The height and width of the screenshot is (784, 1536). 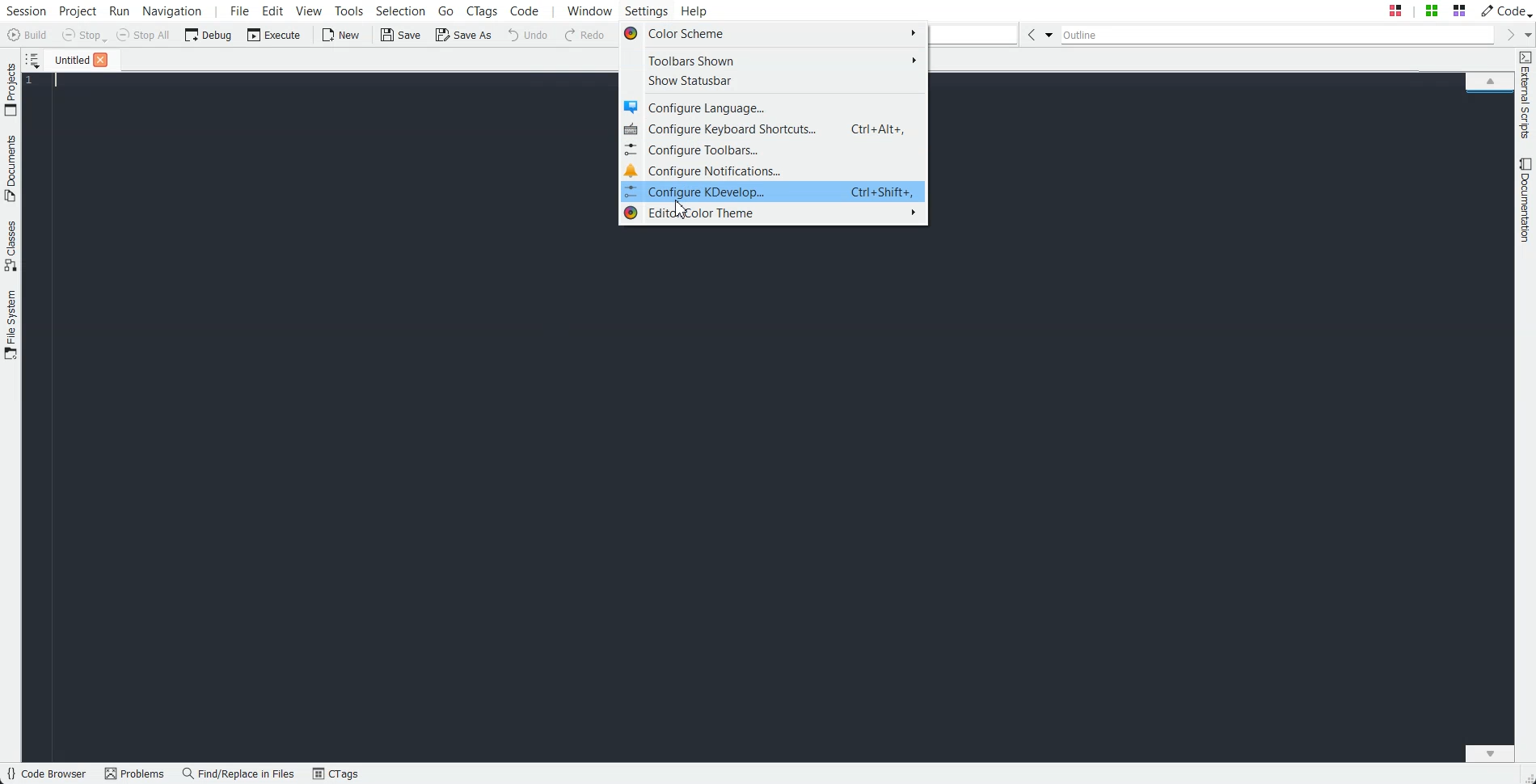 What do you see at coordinates (134, 774) in the screenshot?
I see `Problems` at bounding box center [134, 774].